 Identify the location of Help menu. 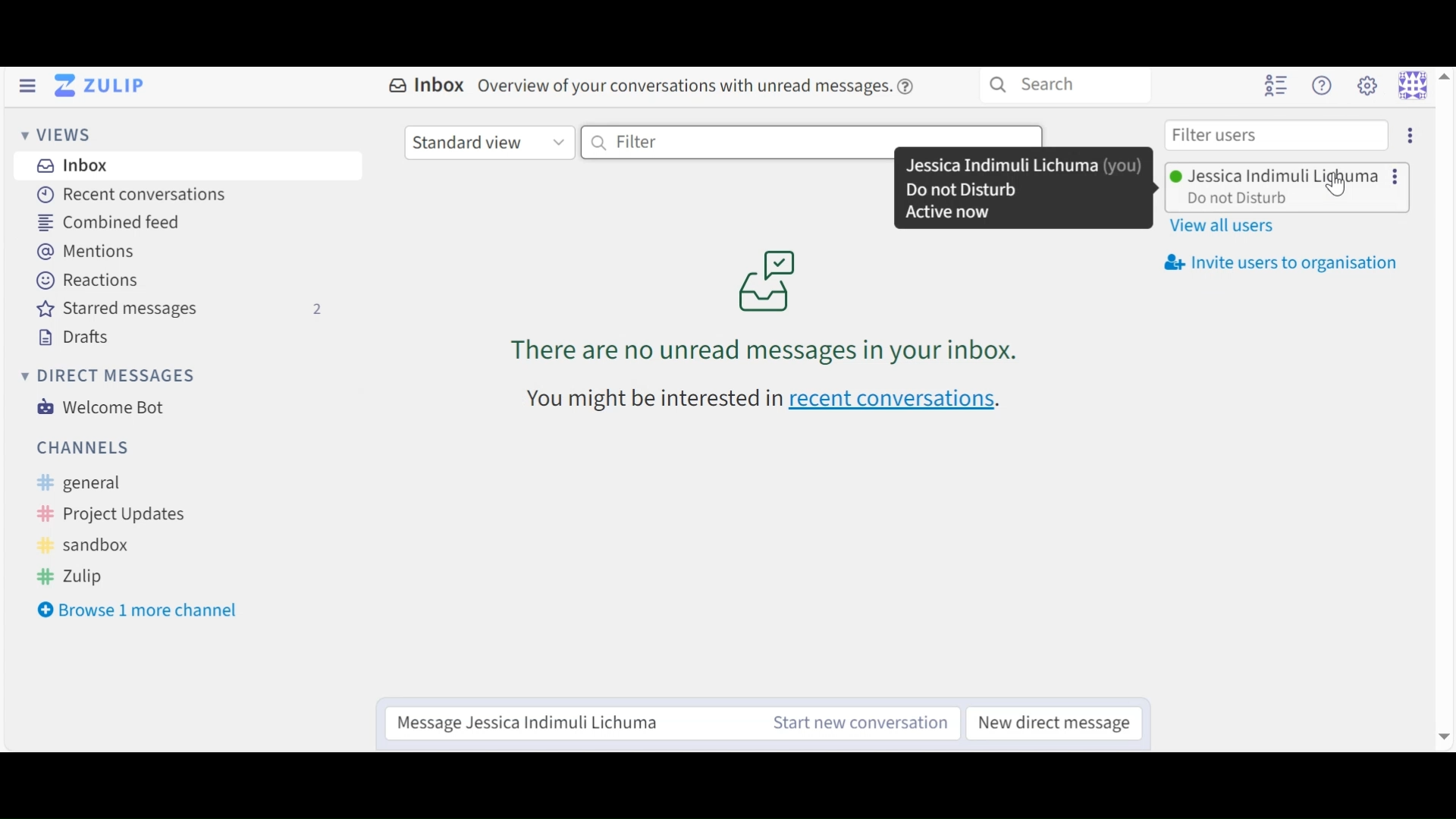
(1325, 86).